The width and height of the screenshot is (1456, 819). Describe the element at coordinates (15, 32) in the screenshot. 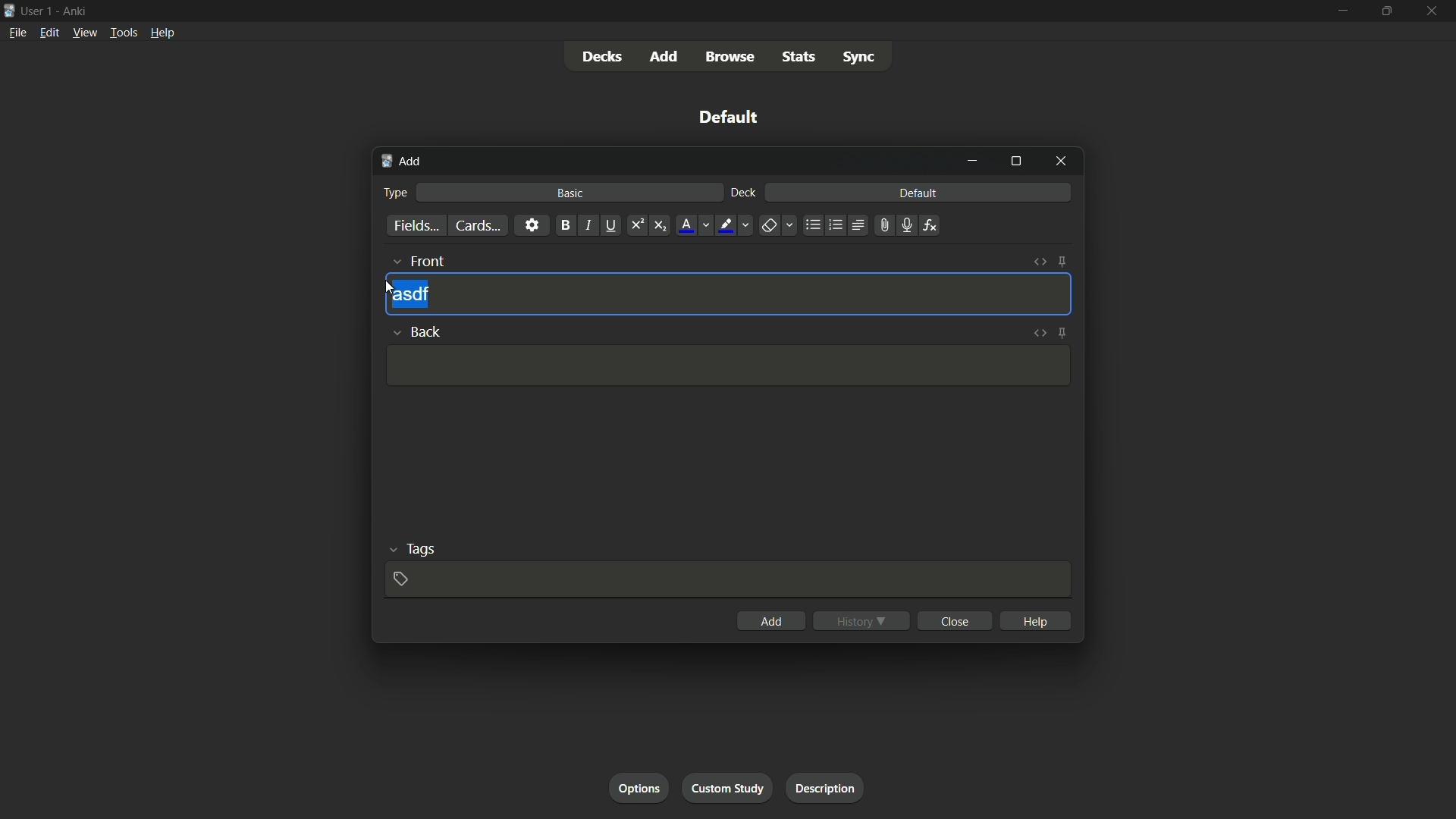

I see `file` at that location.